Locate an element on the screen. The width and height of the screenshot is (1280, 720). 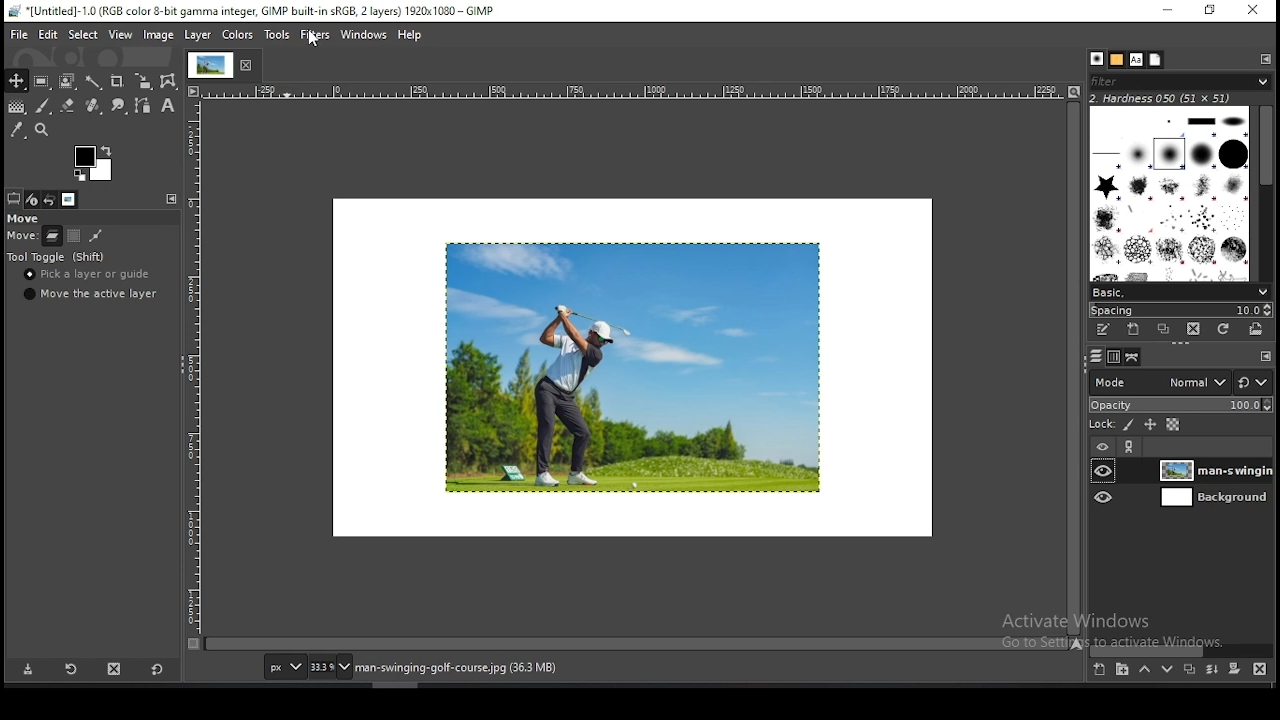
delete tool preset is located at coordinates (113, 669).